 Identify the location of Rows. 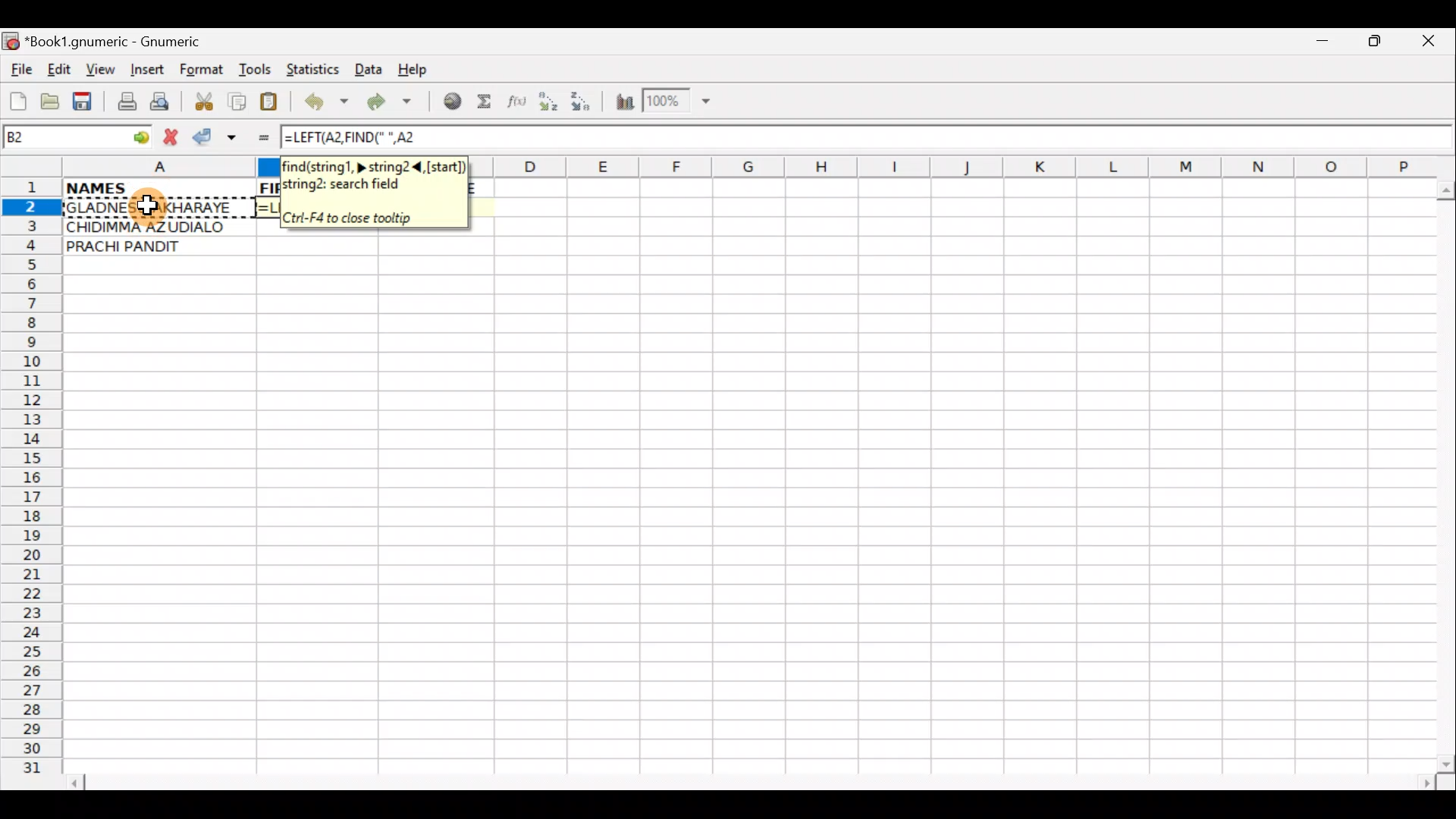
(32, 482).